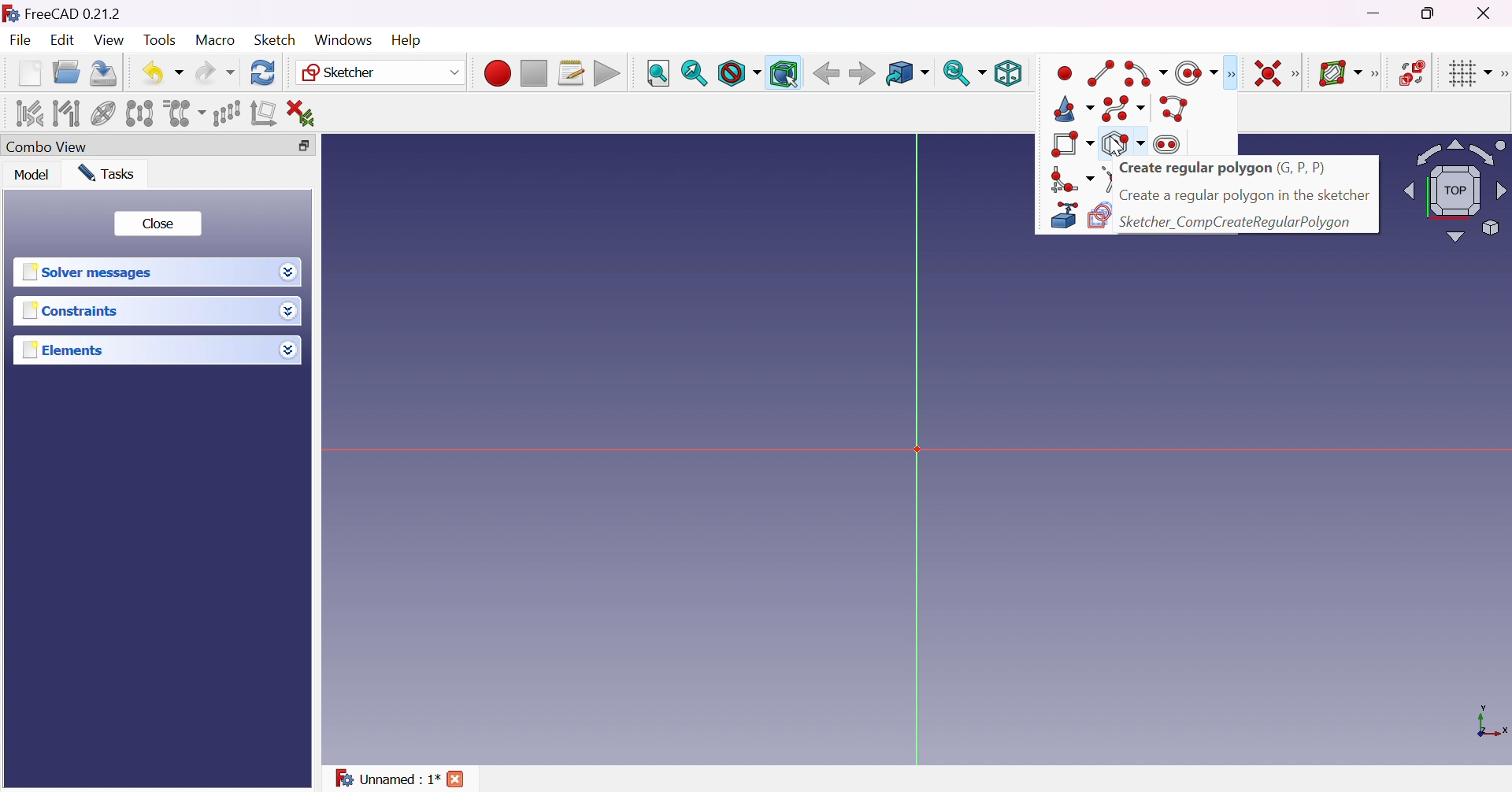  What do you see at coordinates (1503, 74) in the screenshot?
I see `[Sketcher edit tools]` at bounding box center [1503, 74].